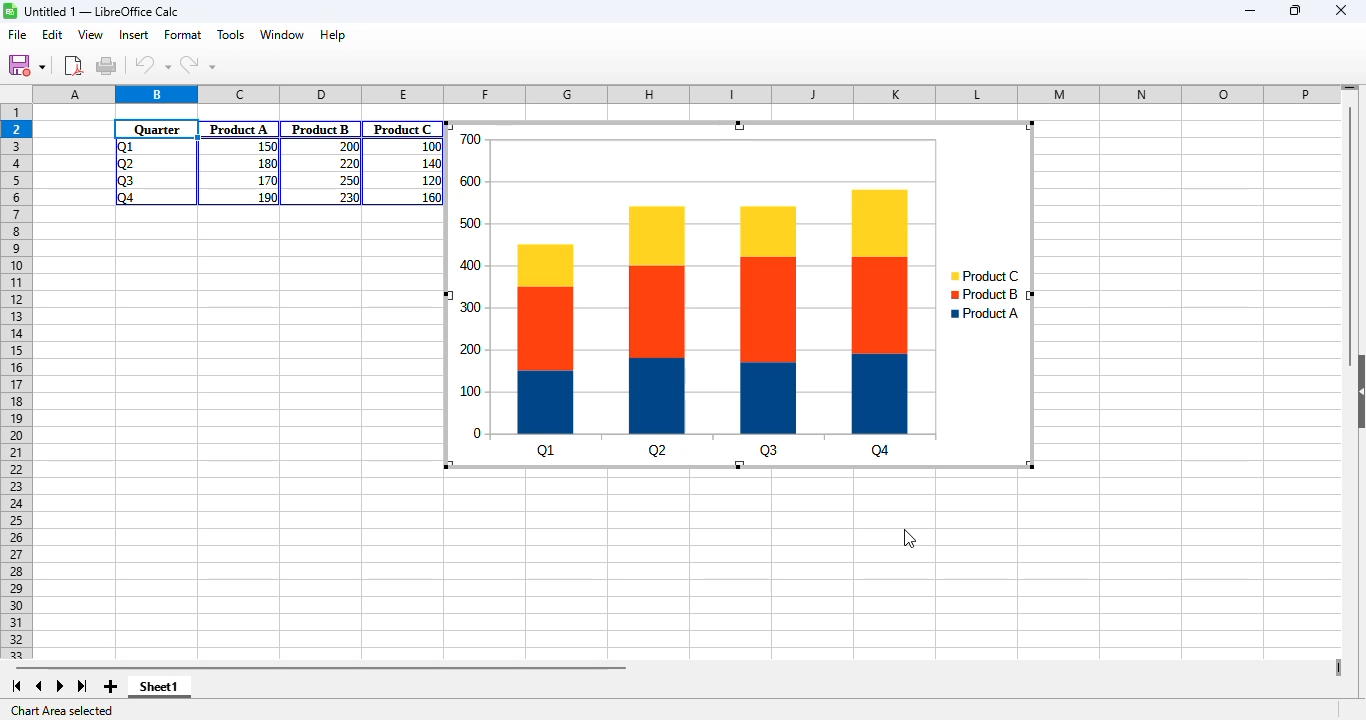 The image size is (1366, 720). Describe the element at coordinates (429, 180) in the screenshot. I see `120` at that location.